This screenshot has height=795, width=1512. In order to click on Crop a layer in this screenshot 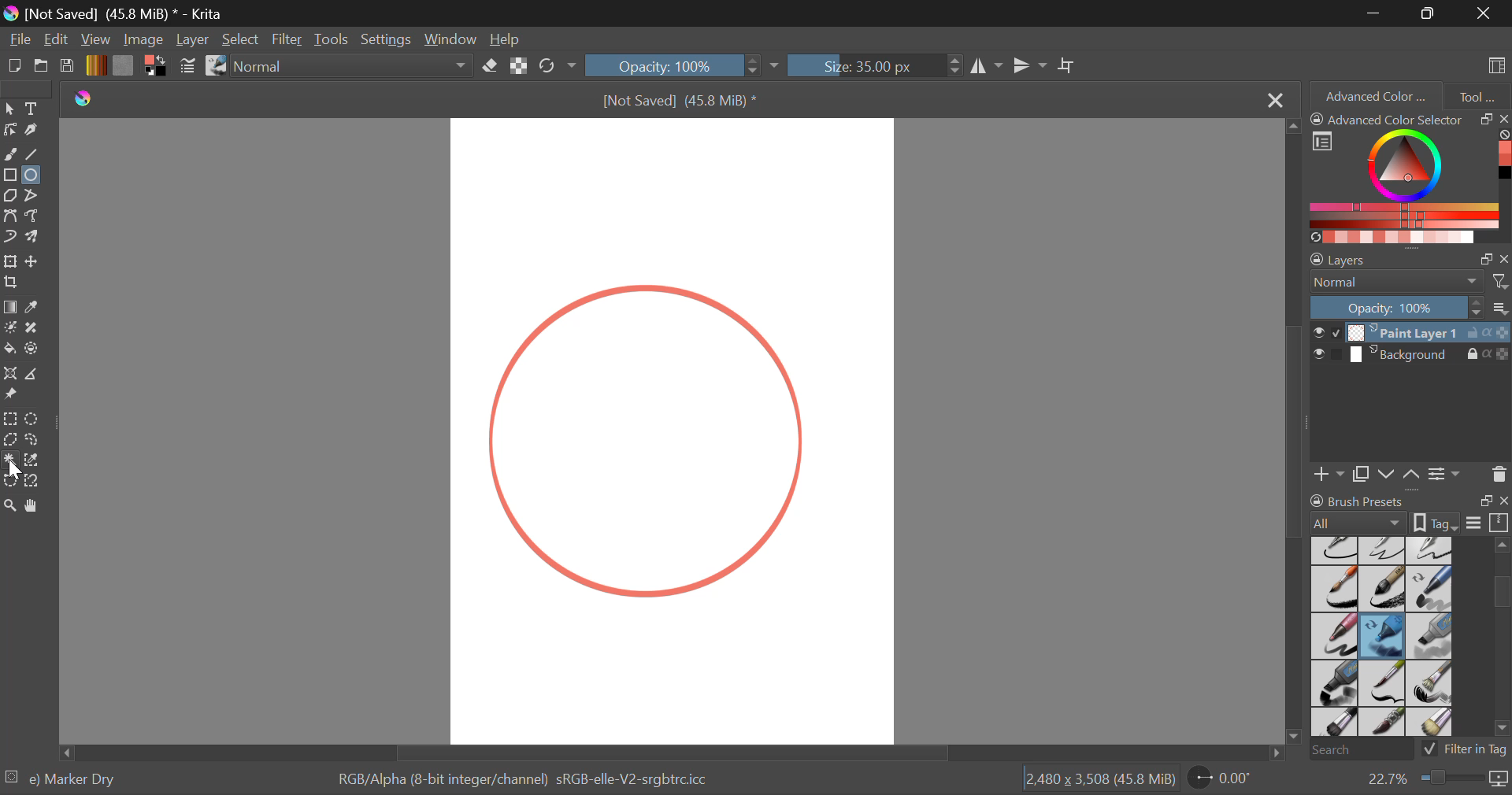, I will do `click(11, 284)`.